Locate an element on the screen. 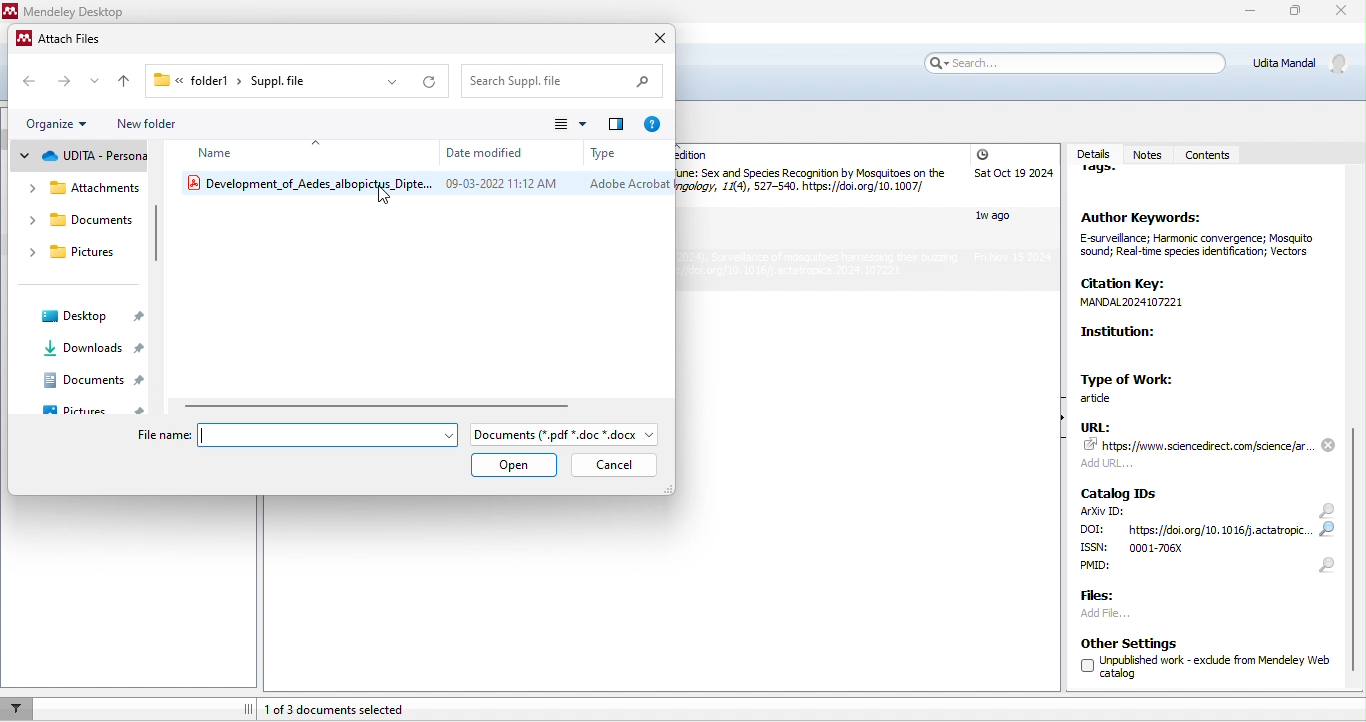 The image size is (1366, 722). ISSN is located at coordinates (1161, 548).